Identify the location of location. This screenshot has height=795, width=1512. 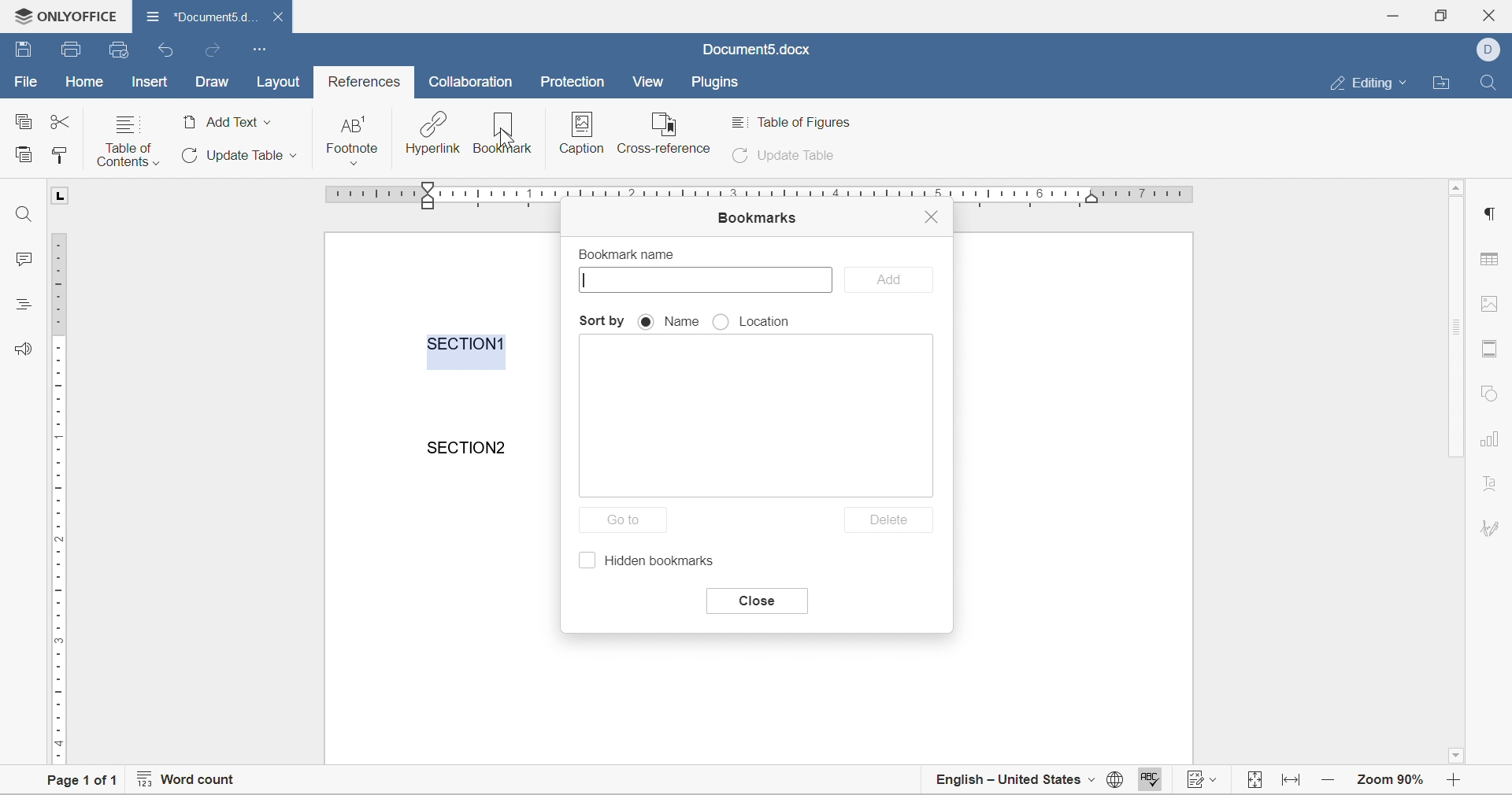
(769, 323).